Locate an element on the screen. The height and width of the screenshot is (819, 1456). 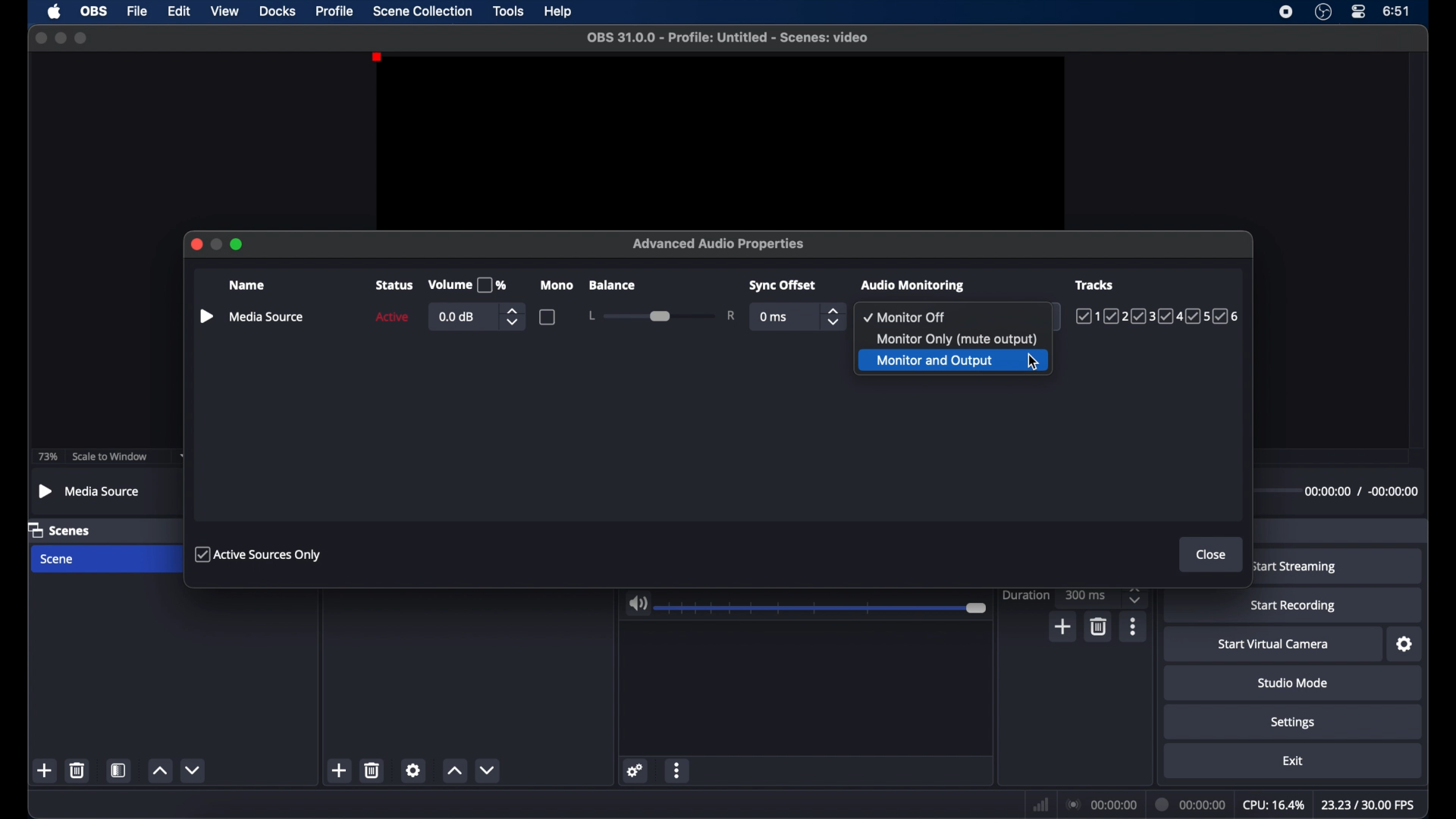
help is located at coordinates (560, 12).